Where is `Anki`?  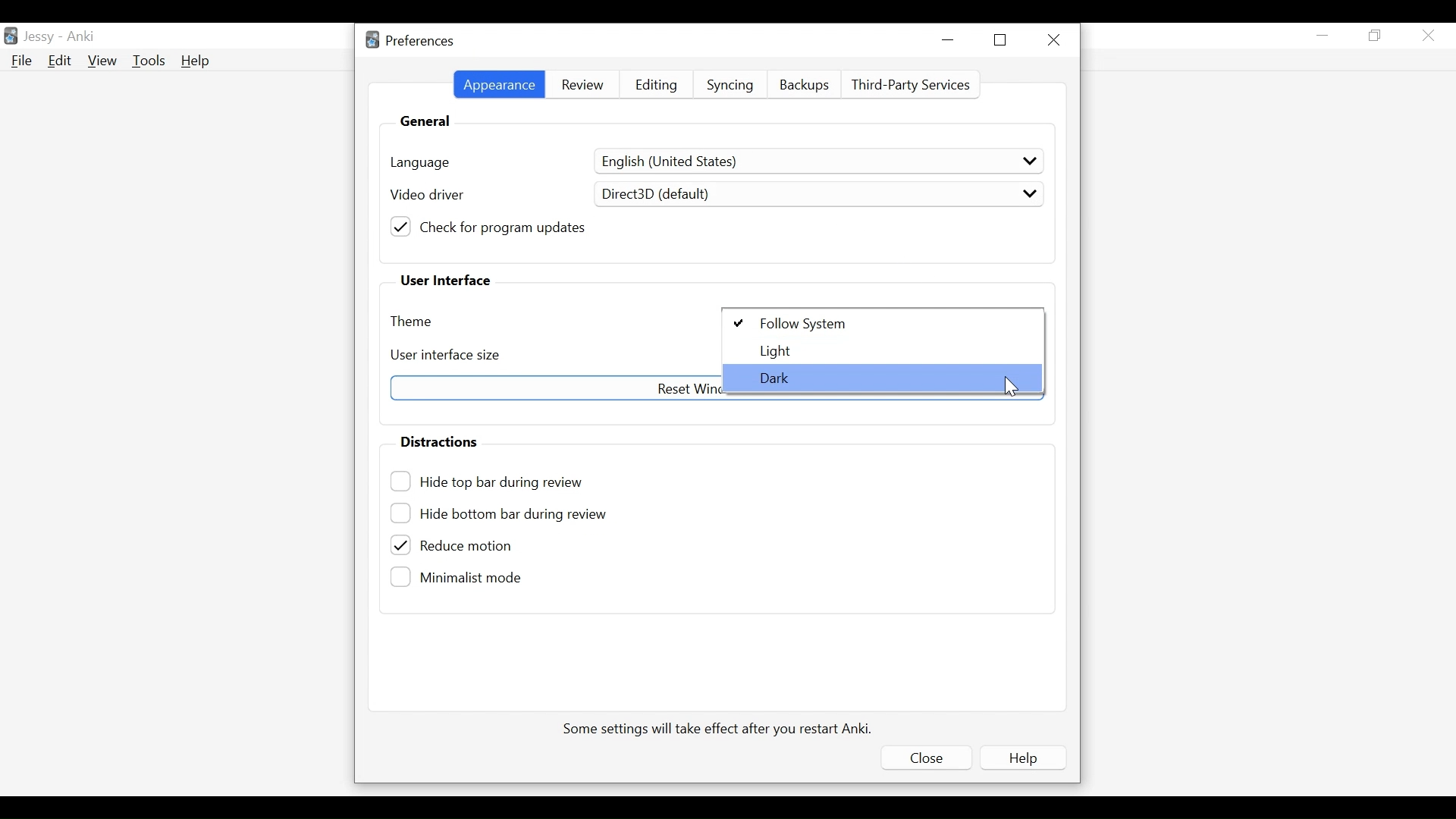 Anki is located at coordinates (83, 37).